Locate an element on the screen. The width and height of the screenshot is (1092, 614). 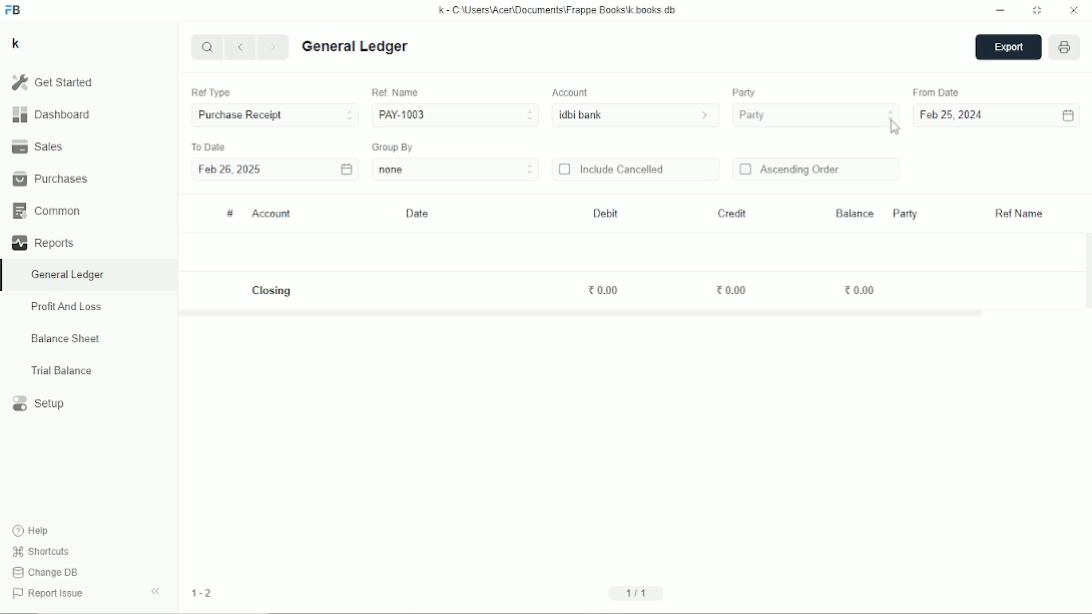
Balance is located at coordinates (854, 212).